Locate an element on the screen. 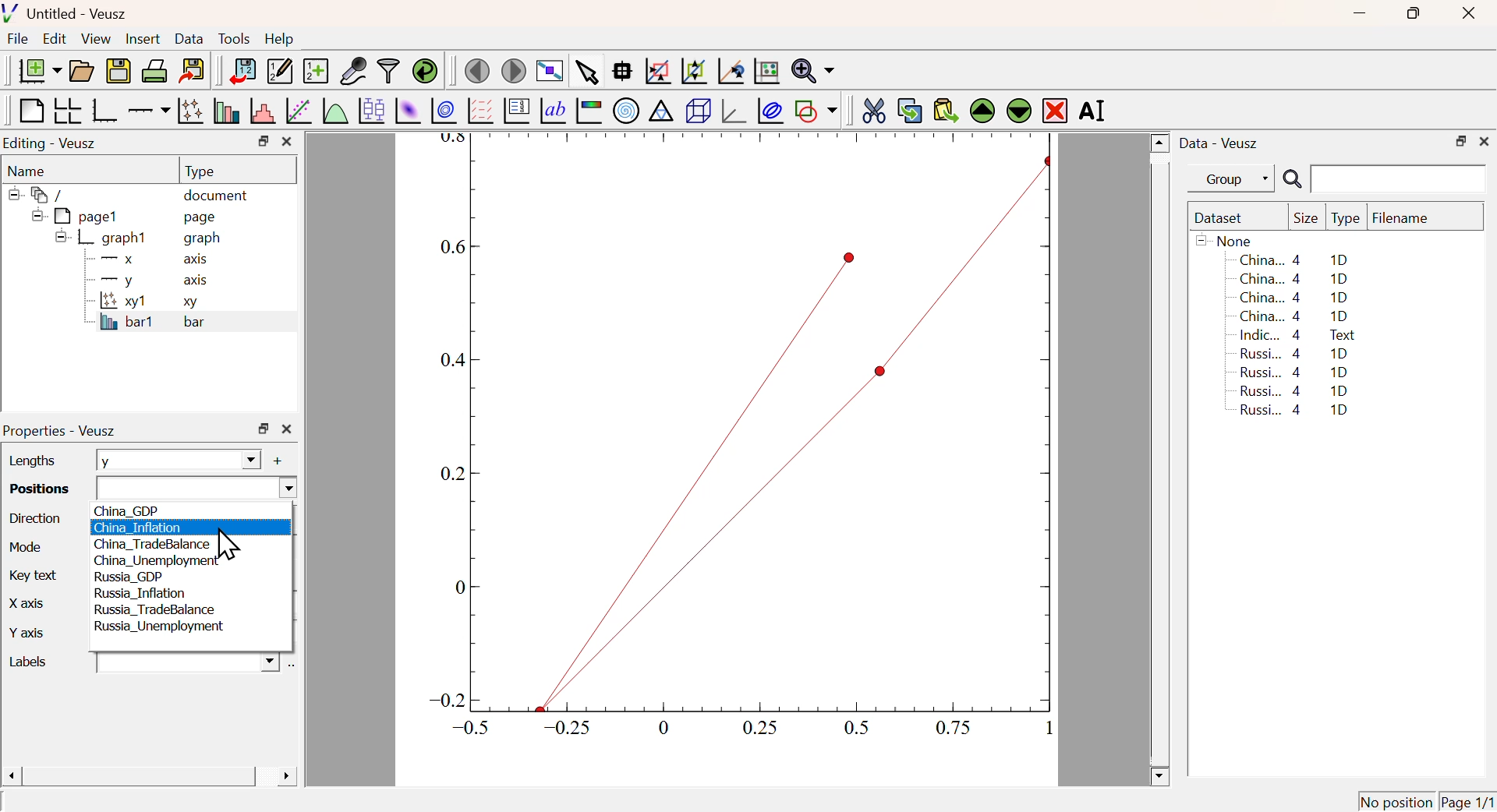 This screenshot has height=812, width=1497. Select using dataset Browser is located at coordinates (285, 667).